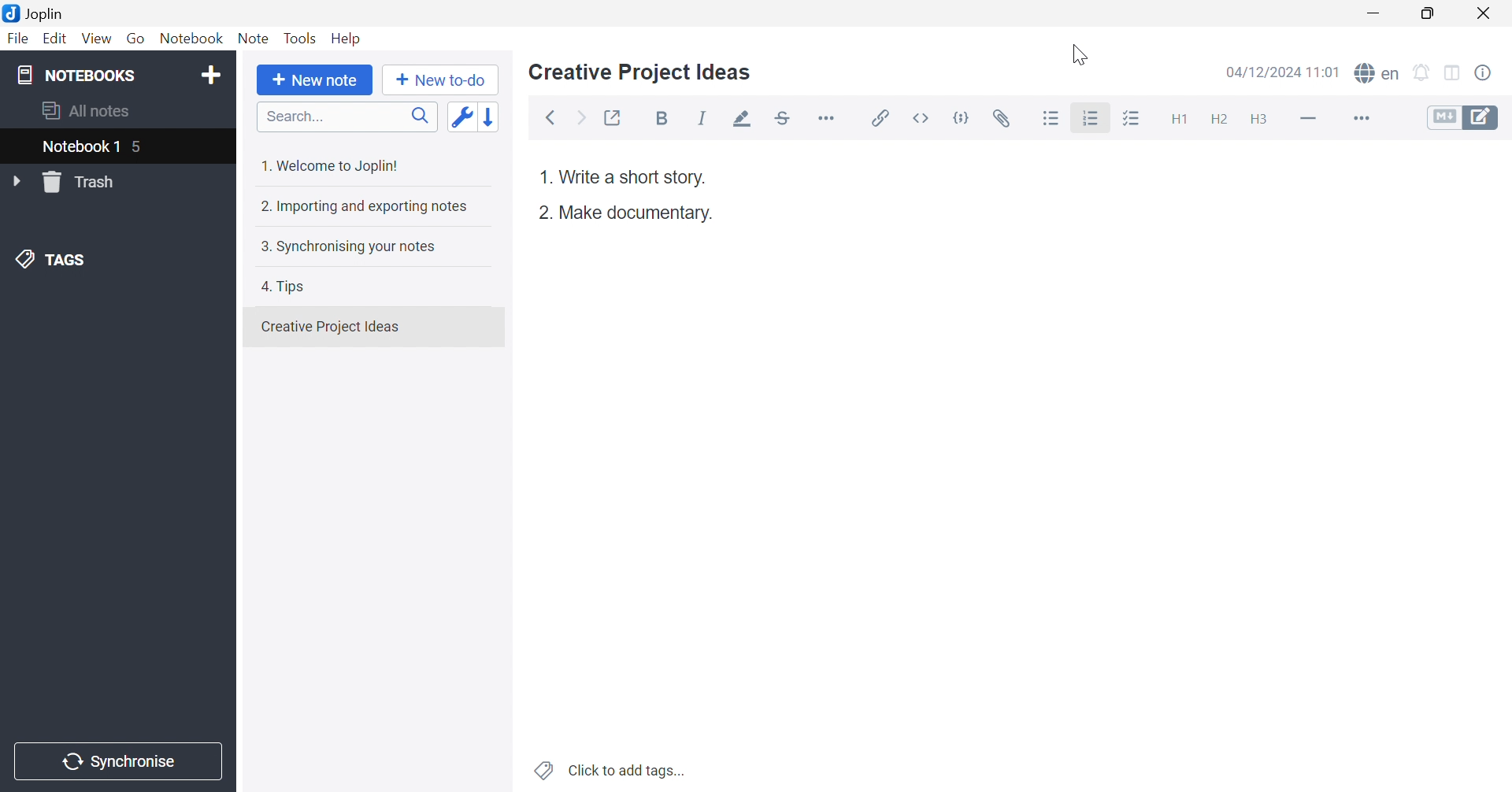 Image resolution: width=1512 pixels, height=792 pixels. I want to click on Heading 3, so click(1259, 122).